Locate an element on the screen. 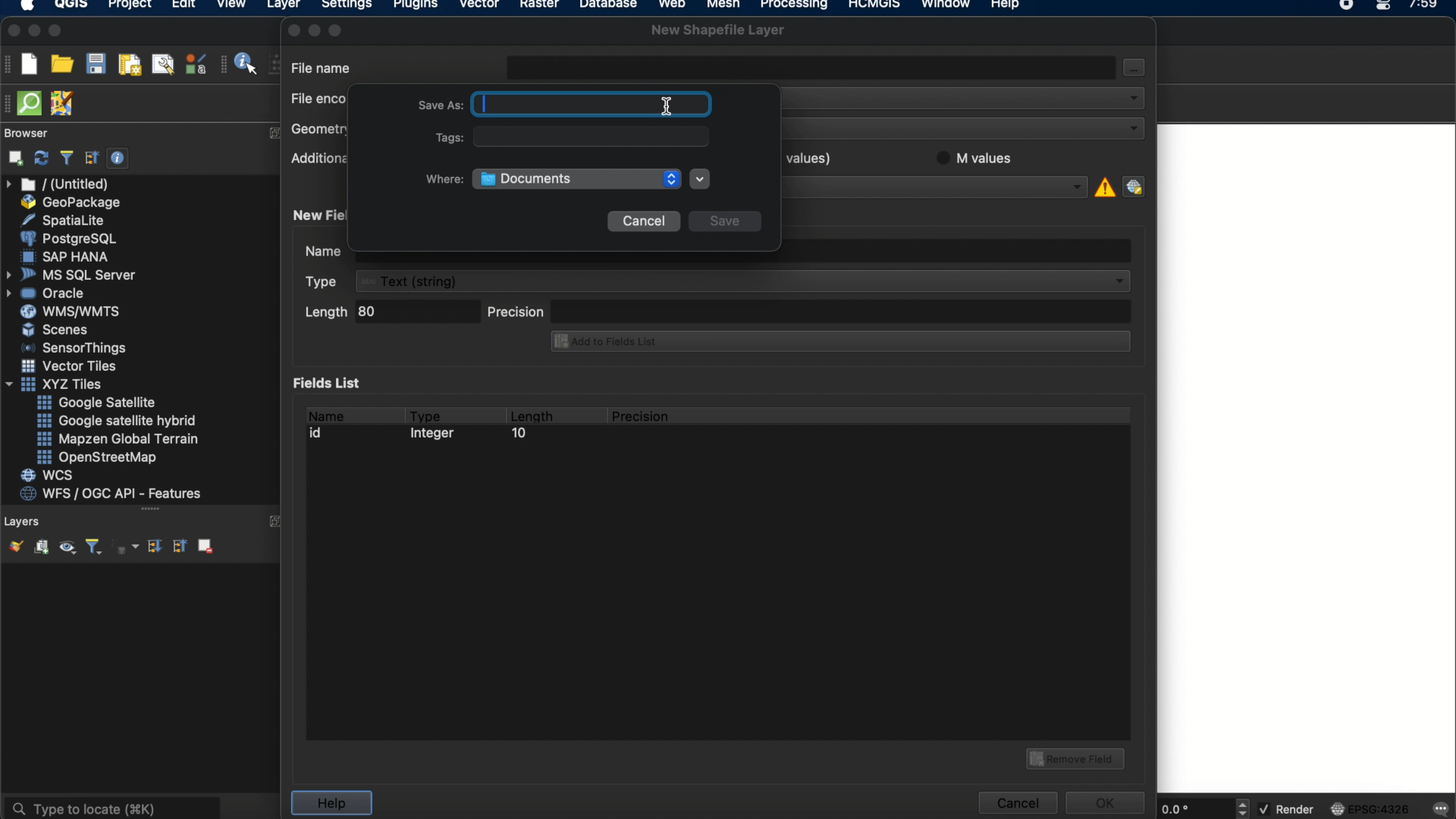  vector is located at coordinates (480, 6).